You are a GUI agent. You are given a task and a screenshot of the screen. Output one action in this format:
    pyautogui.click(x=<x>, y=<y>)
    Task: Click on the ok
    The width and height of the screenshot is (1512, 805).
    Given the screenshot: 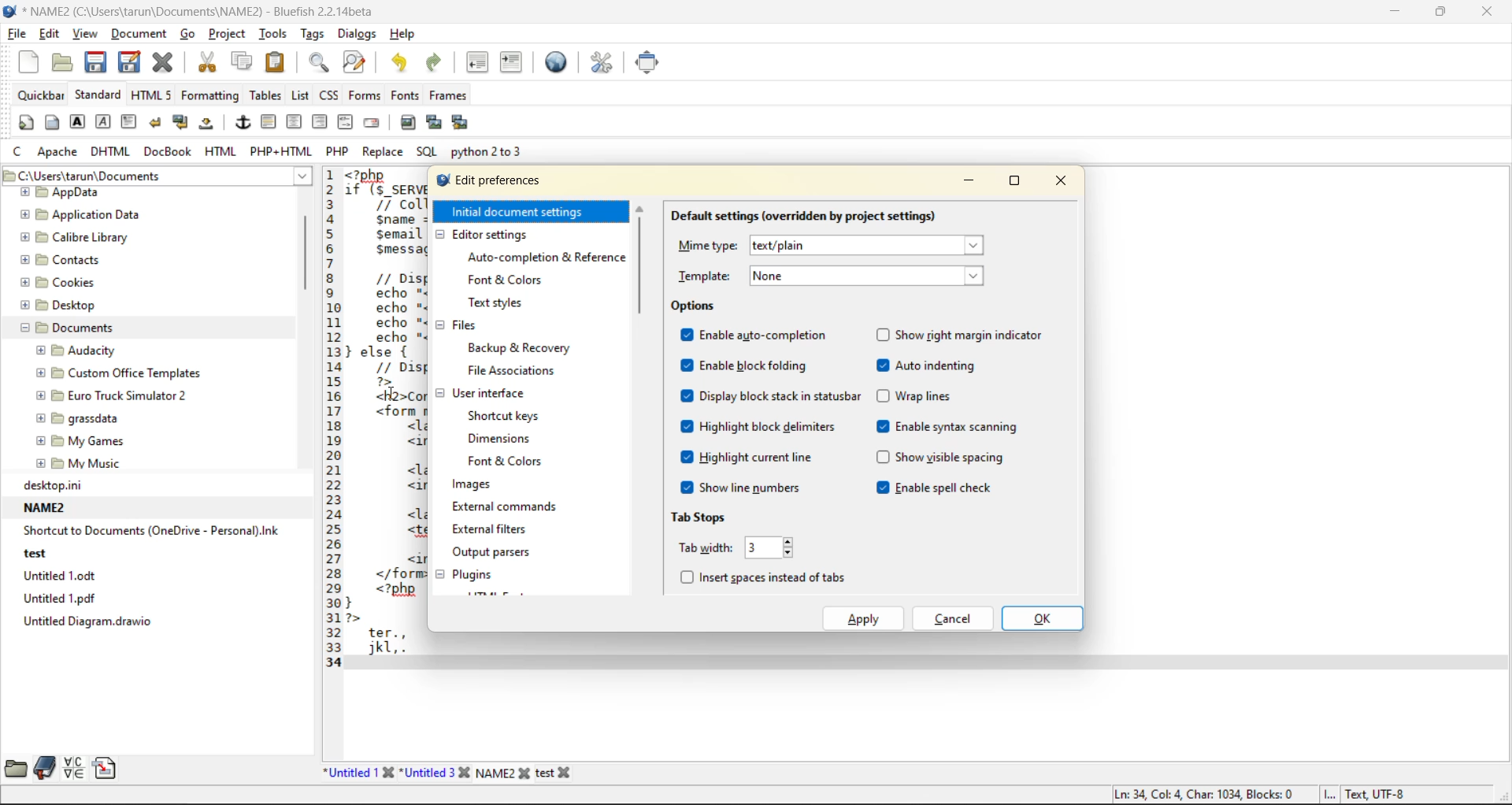 What is the action you would take?
    pyautogui.click(x=1043, y=617)
    